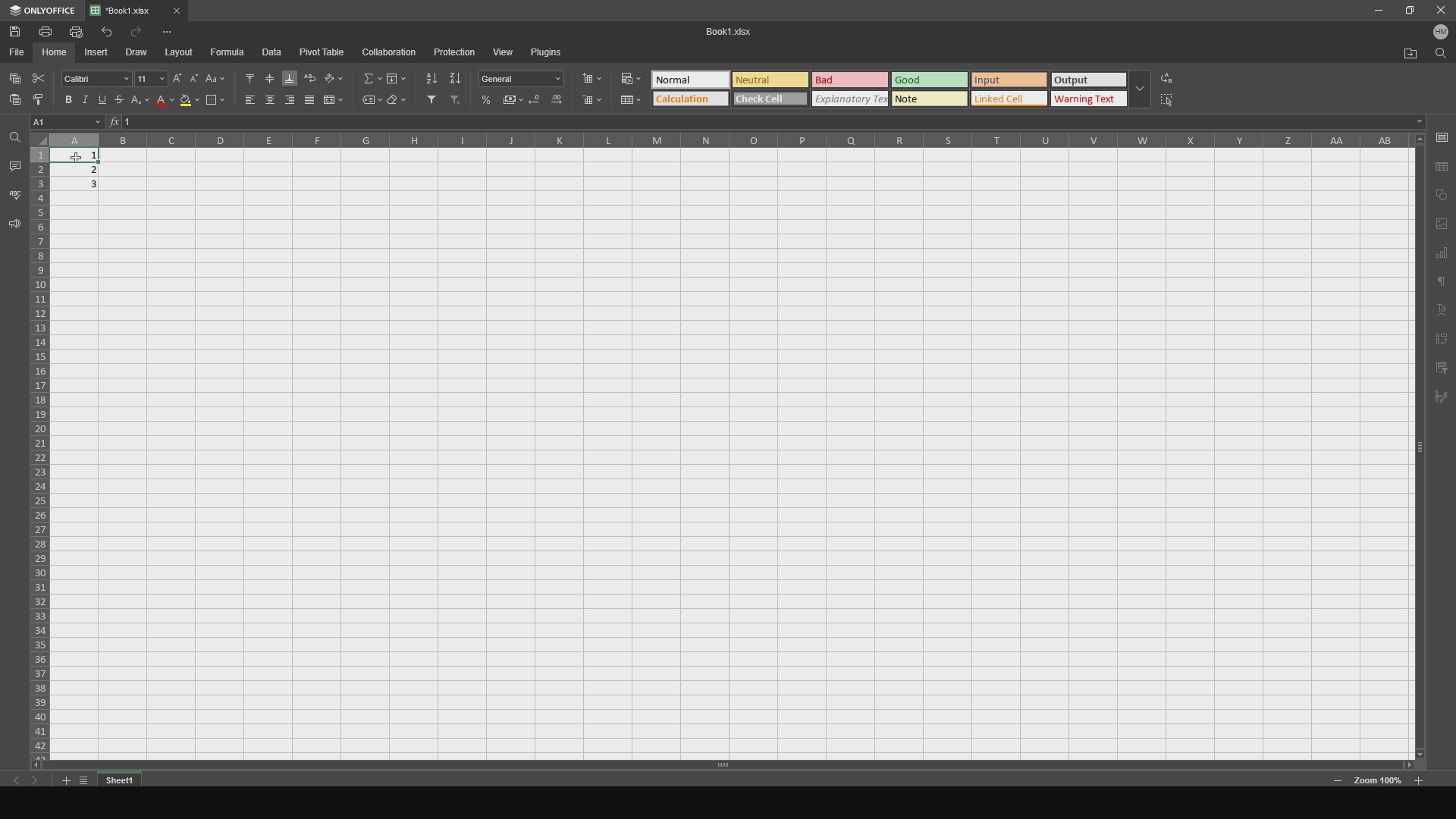  What do you see at coordinates (629, 76) in the screenshot?
I see `` at bounding box center [629, 76].